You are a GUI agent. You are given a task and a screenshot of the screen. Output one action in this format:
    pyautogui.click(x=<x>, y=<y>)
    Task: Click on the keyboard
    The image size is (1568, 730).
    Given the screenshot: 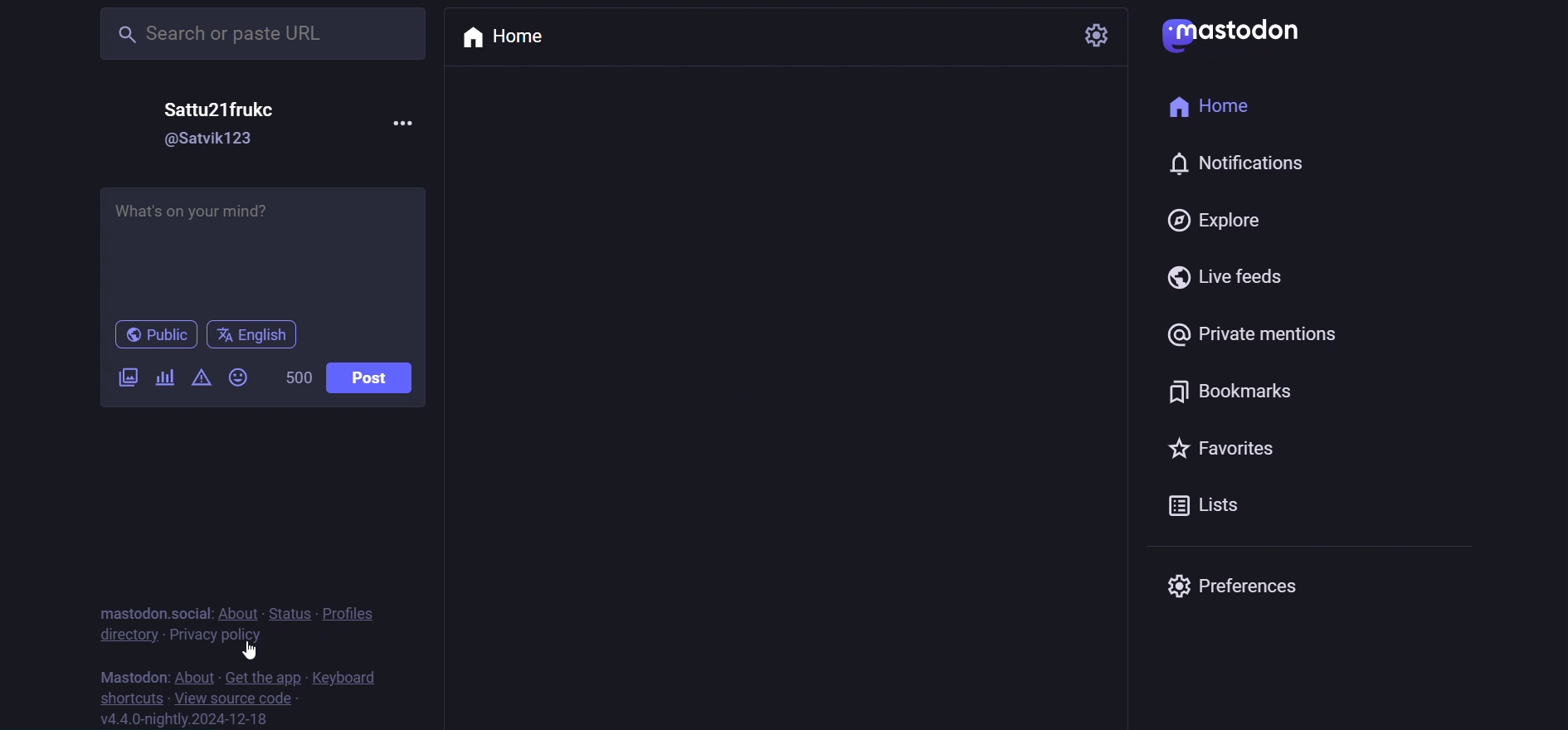 What is the action you would take?
    pyautogui.click(x=361, y=679)
    